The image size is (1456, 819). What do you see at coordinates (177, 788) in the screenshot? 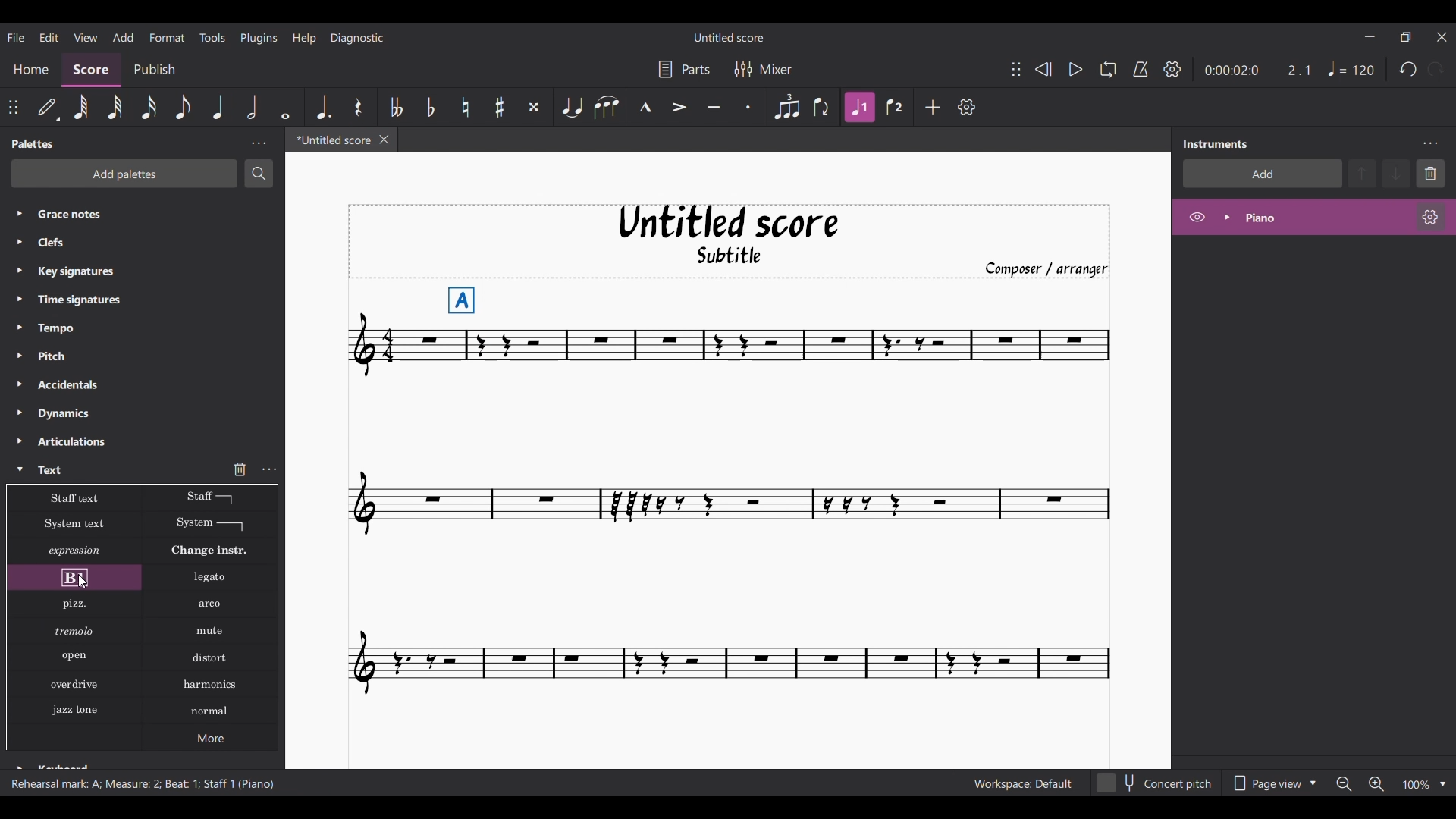
I see `` at bounding box center [177, 788].